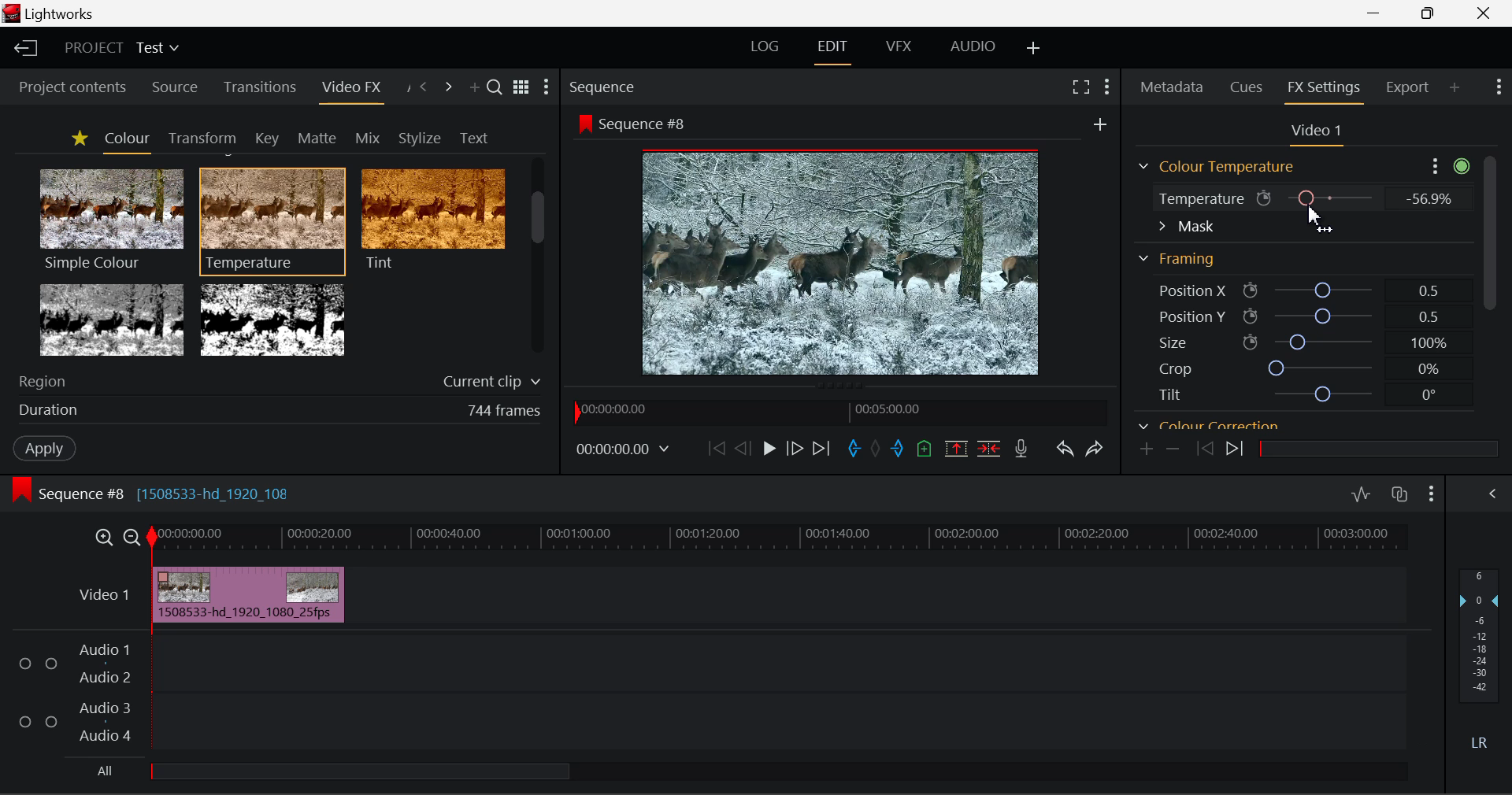 The width and height of the screenshot is (1512, 795). I want to click on icon, so click(22, 490).